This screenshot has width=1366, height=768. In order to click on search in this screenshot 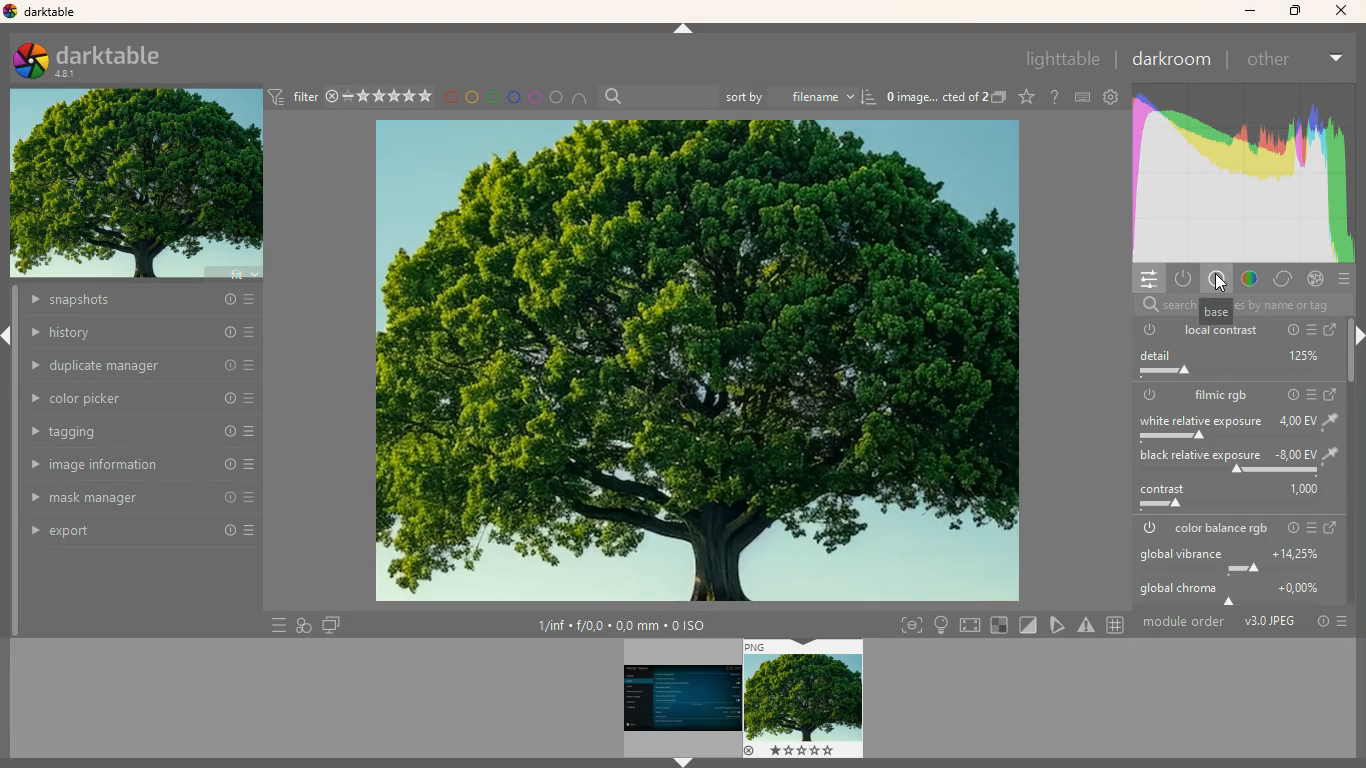, I will do `click(658, 94)`.